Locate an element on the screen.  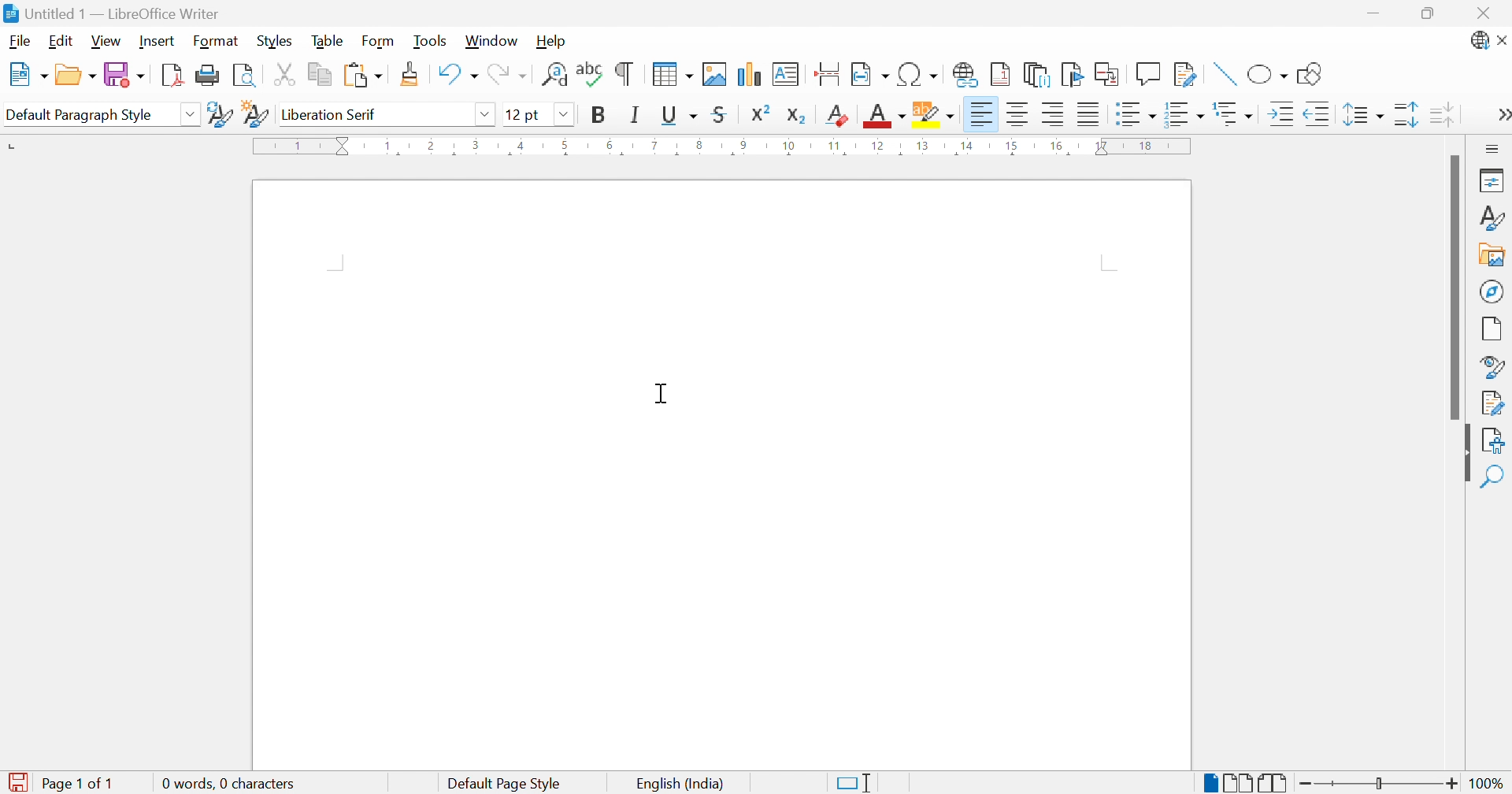
Undo is located at coordinates (456, 78).